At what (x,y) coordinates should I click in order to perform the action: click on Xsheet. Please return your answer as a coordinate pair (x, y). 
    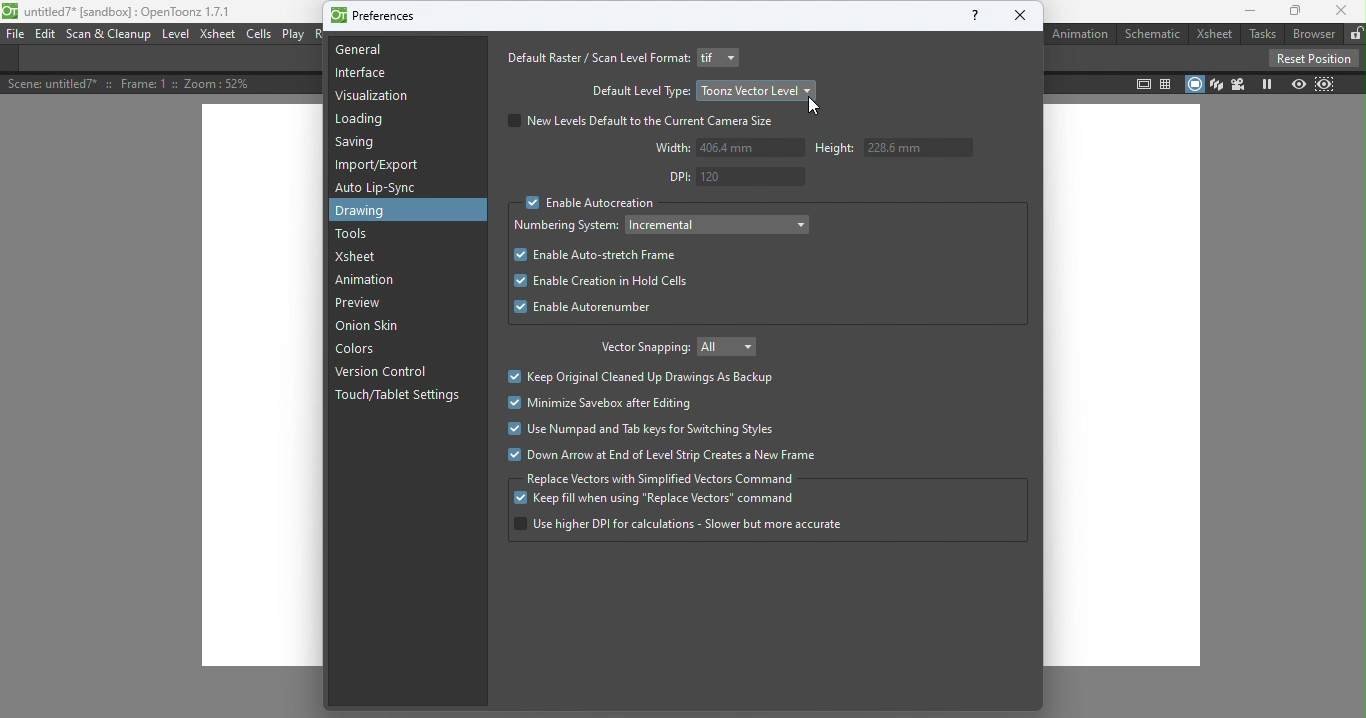
    Looking at the image, I should click on (1214, 35).